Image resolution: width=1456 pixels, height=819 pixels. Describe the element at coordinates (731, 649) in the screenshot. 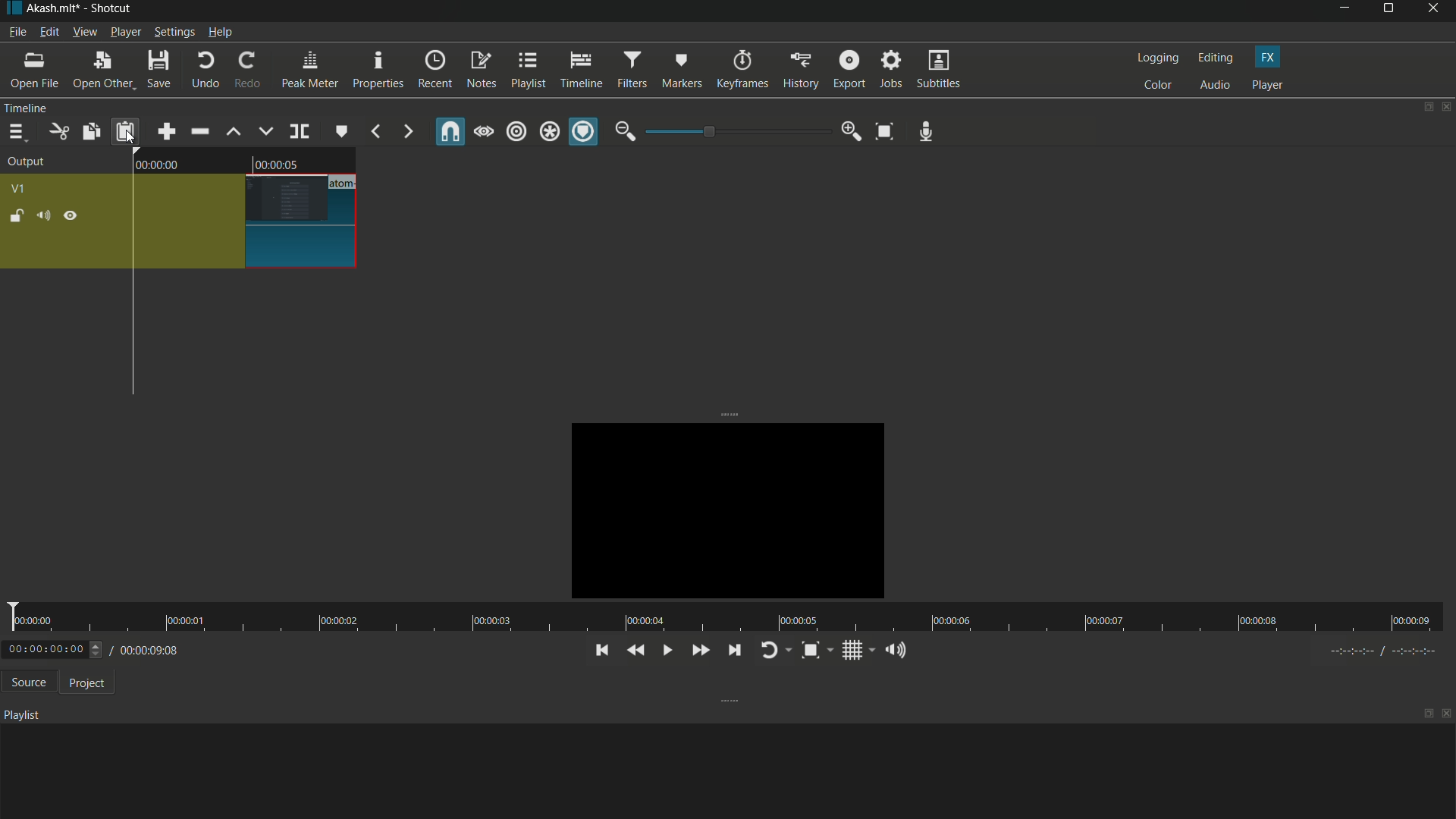

I see `skip to the next point` at that location.